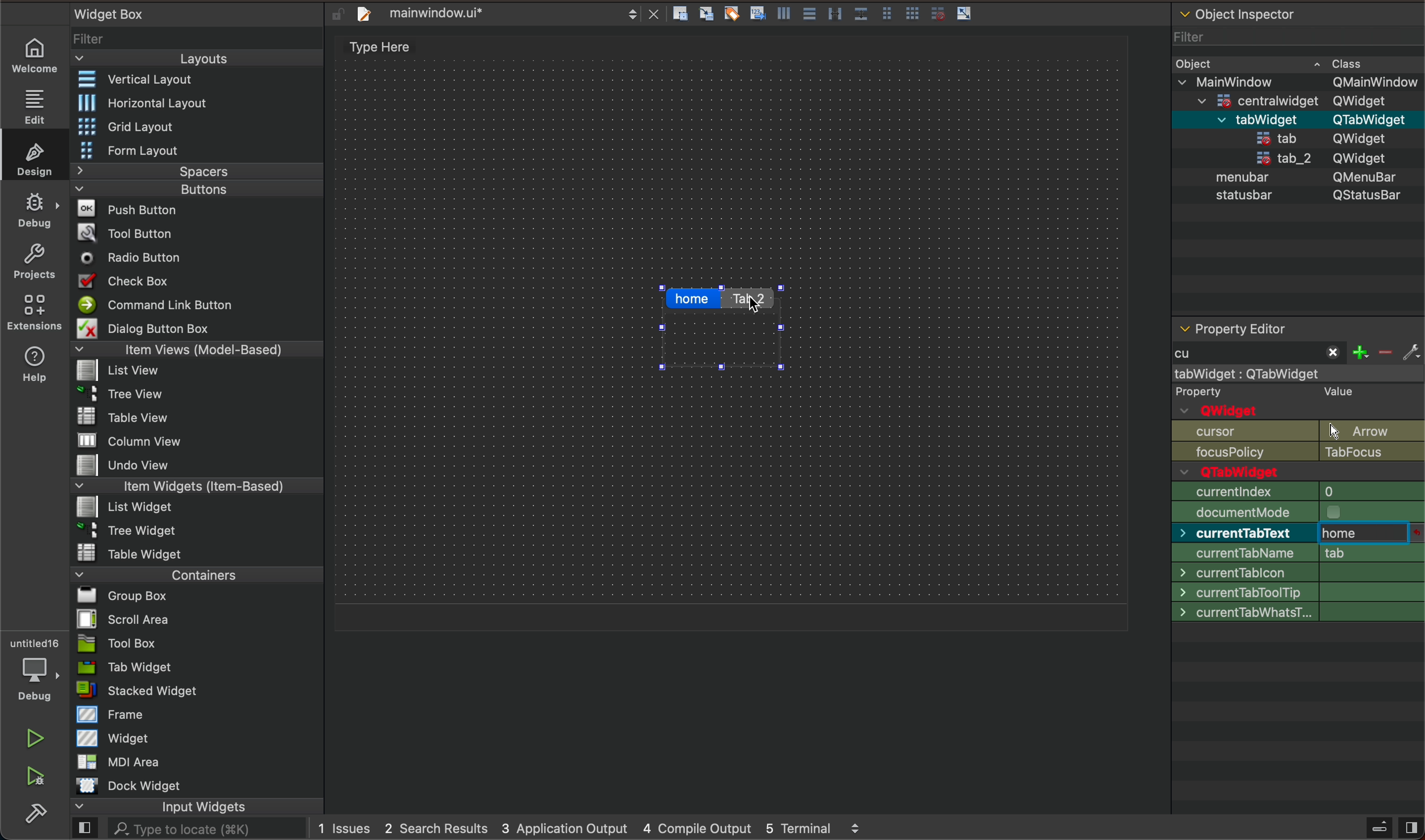 The image size is (1425, 840). Describe the element at coordinates (1300, 491) in the screenshot. I see `geometry` at that location.